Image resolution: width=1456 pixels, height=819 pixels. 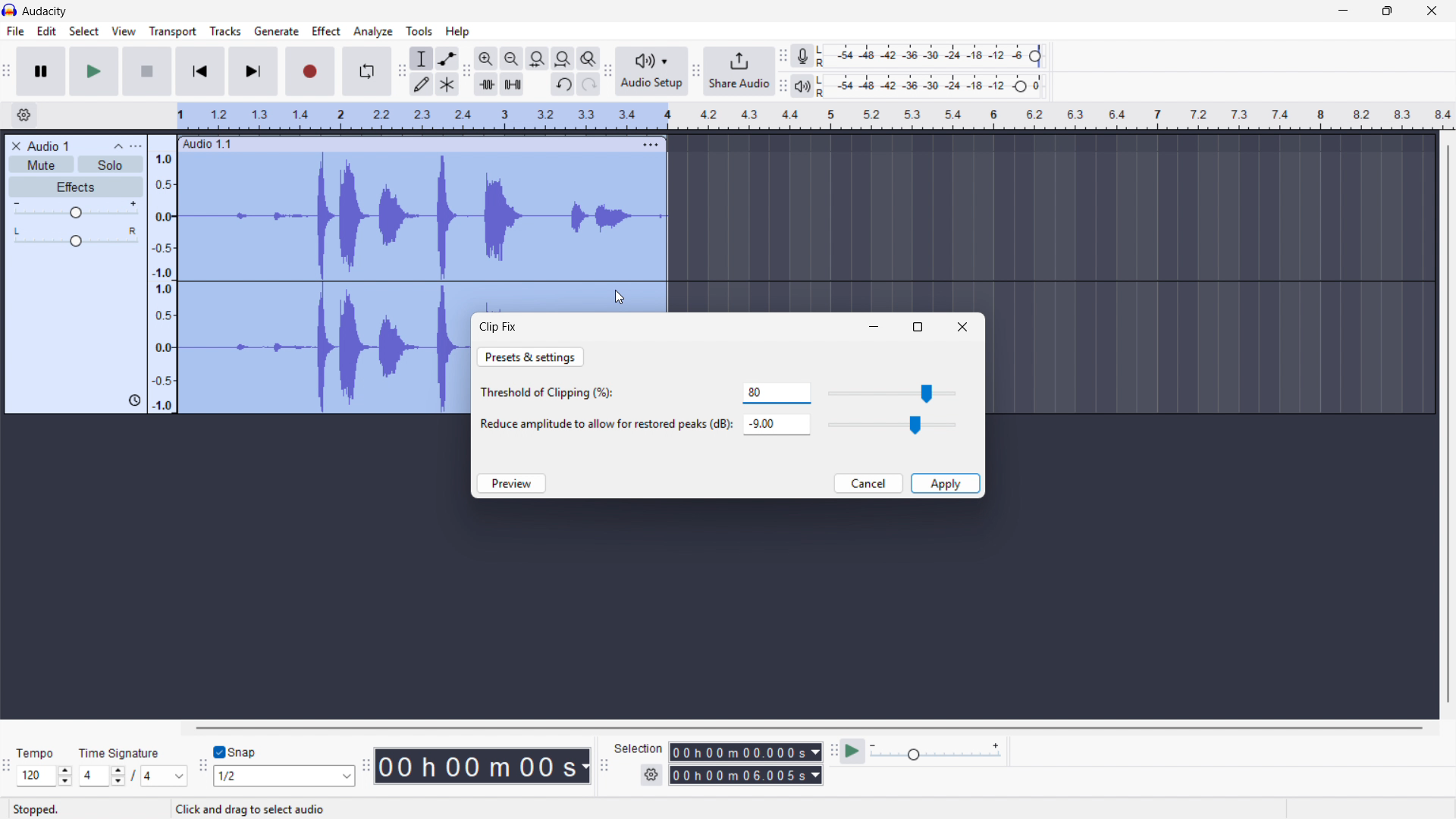 I want to click on Fit selection to width, so click(x=538, y=58).